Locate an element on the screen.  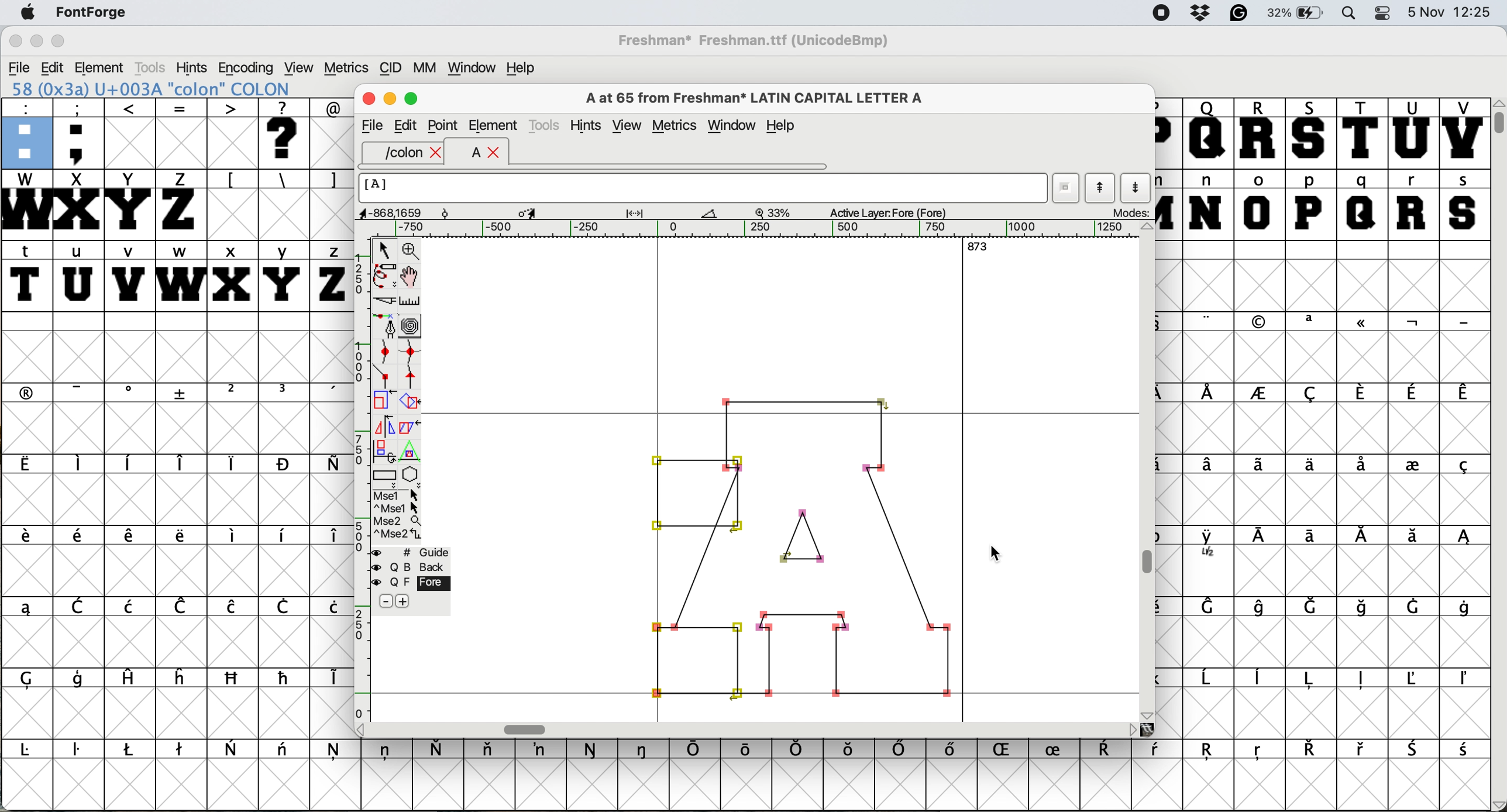
q is located at coordinates (1363, 205).